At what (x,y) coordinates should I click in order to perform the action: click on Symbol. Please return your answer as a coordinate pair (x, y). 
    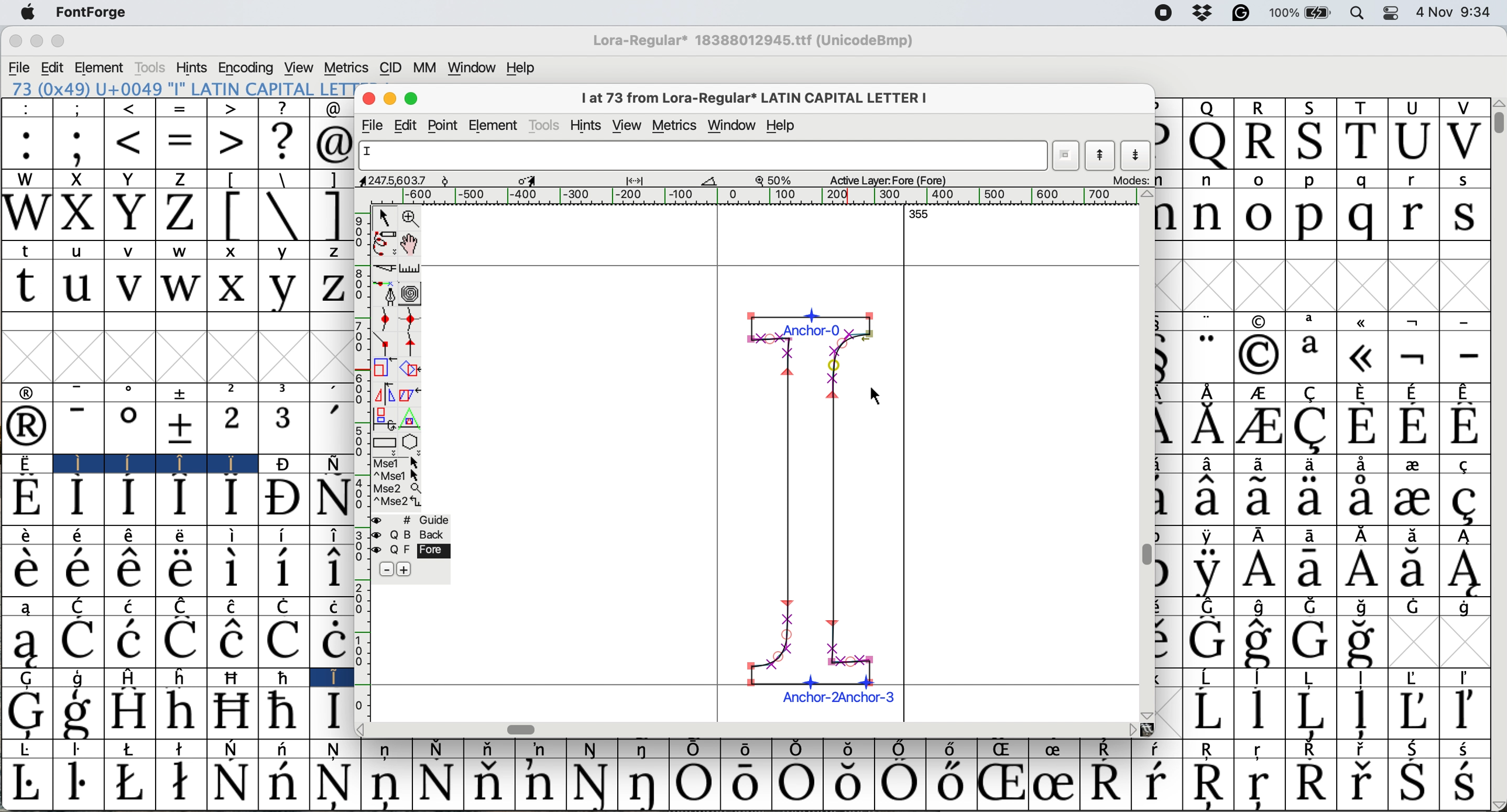
    Looking at the image, I should click on (1309, 712).